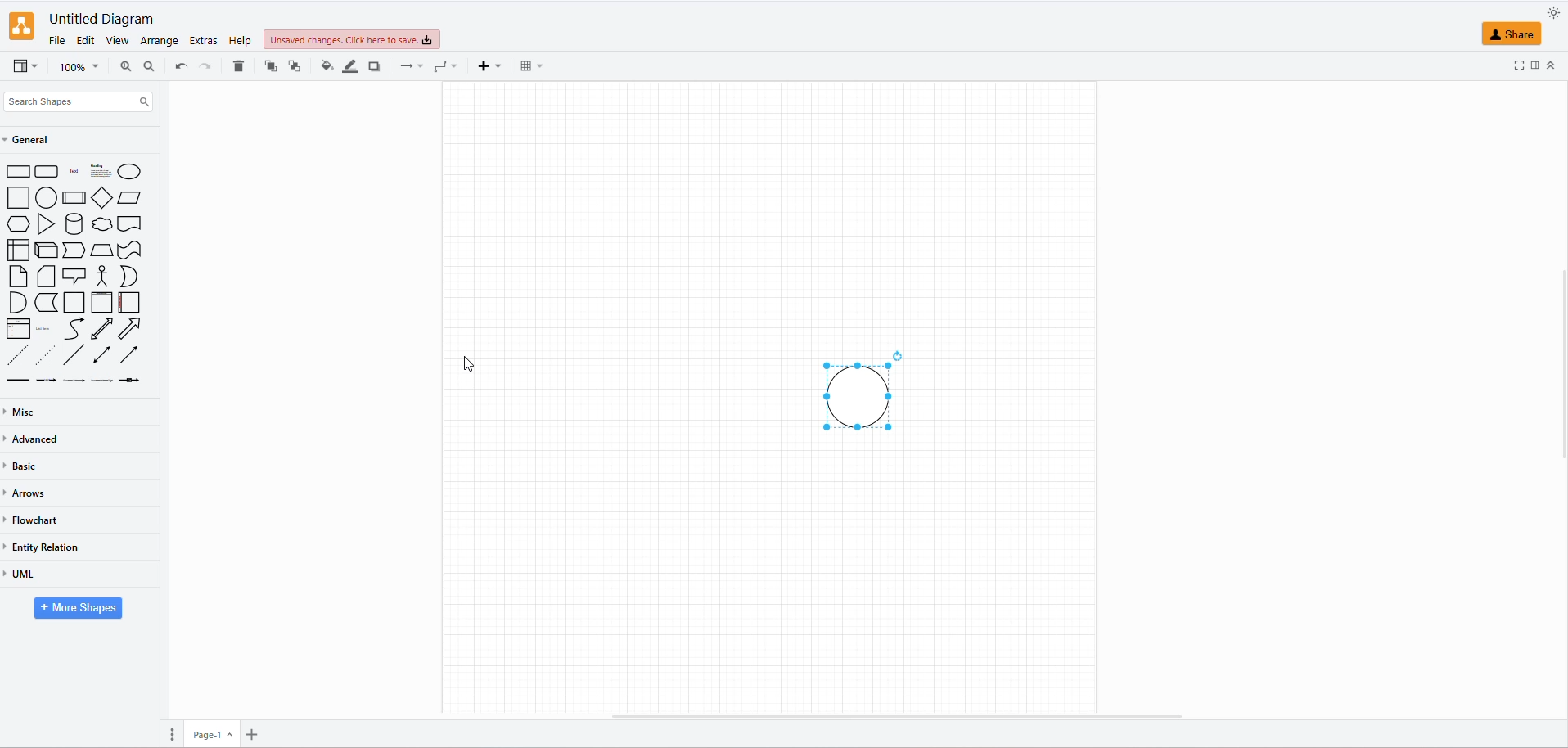 This screenshot has height=748, width=1568. What do you see at coordinates (131, 171) in the screenshot?
I see `CIRCLE` at bounding box center [131, 171].